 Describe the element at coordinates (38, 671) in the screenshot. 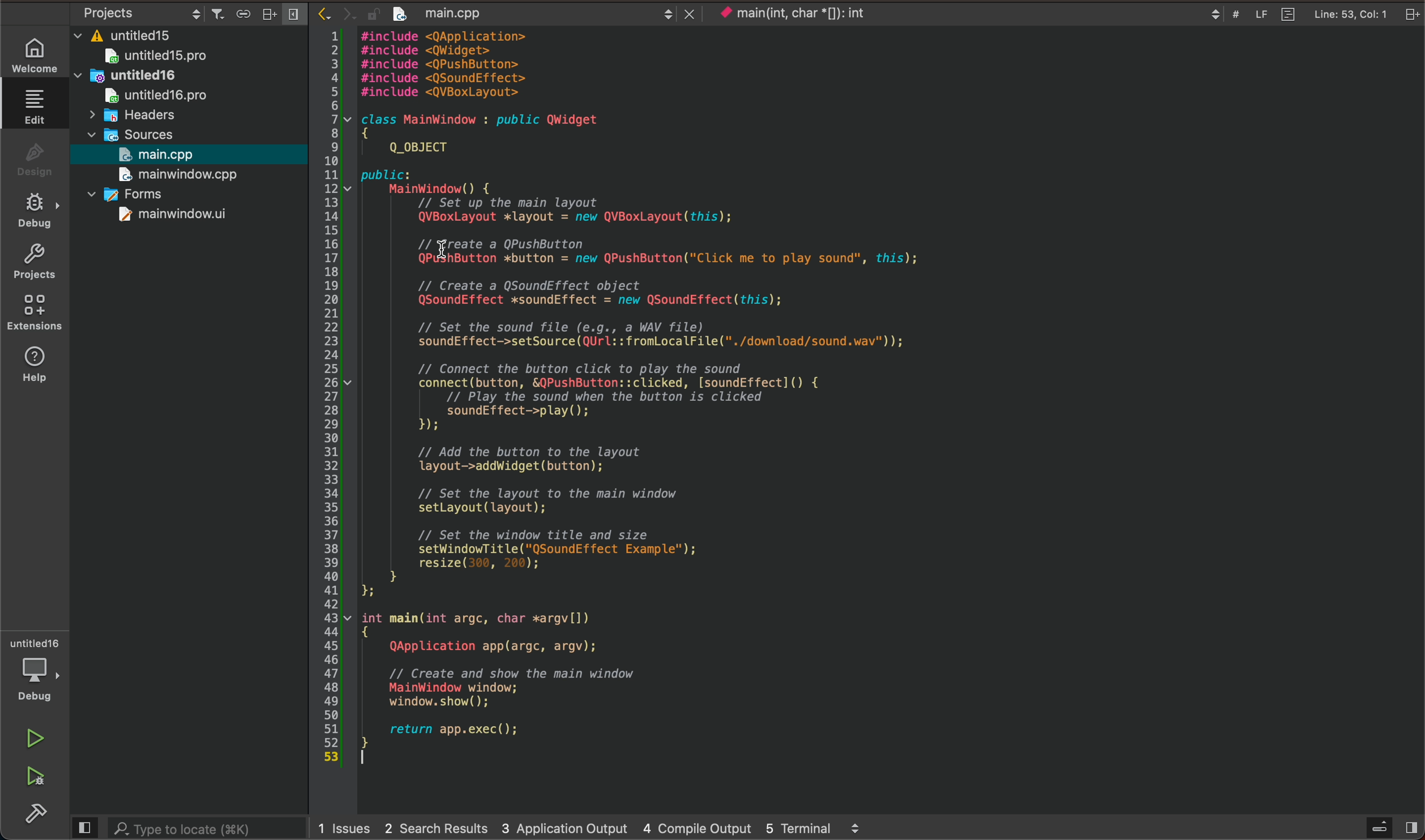

I see `debugger` at that location.